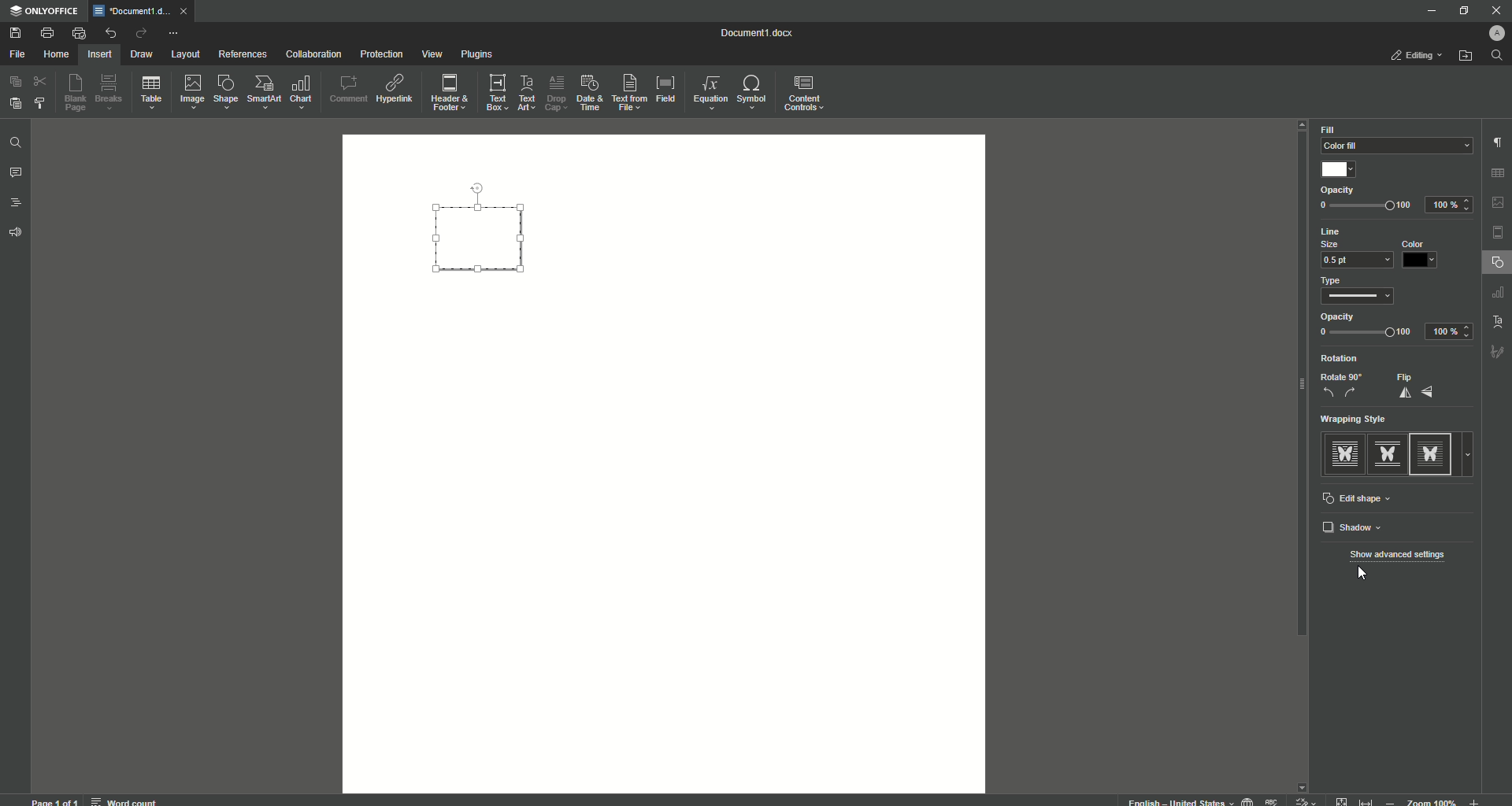  I want to click on 100%, so click(1449, 332).